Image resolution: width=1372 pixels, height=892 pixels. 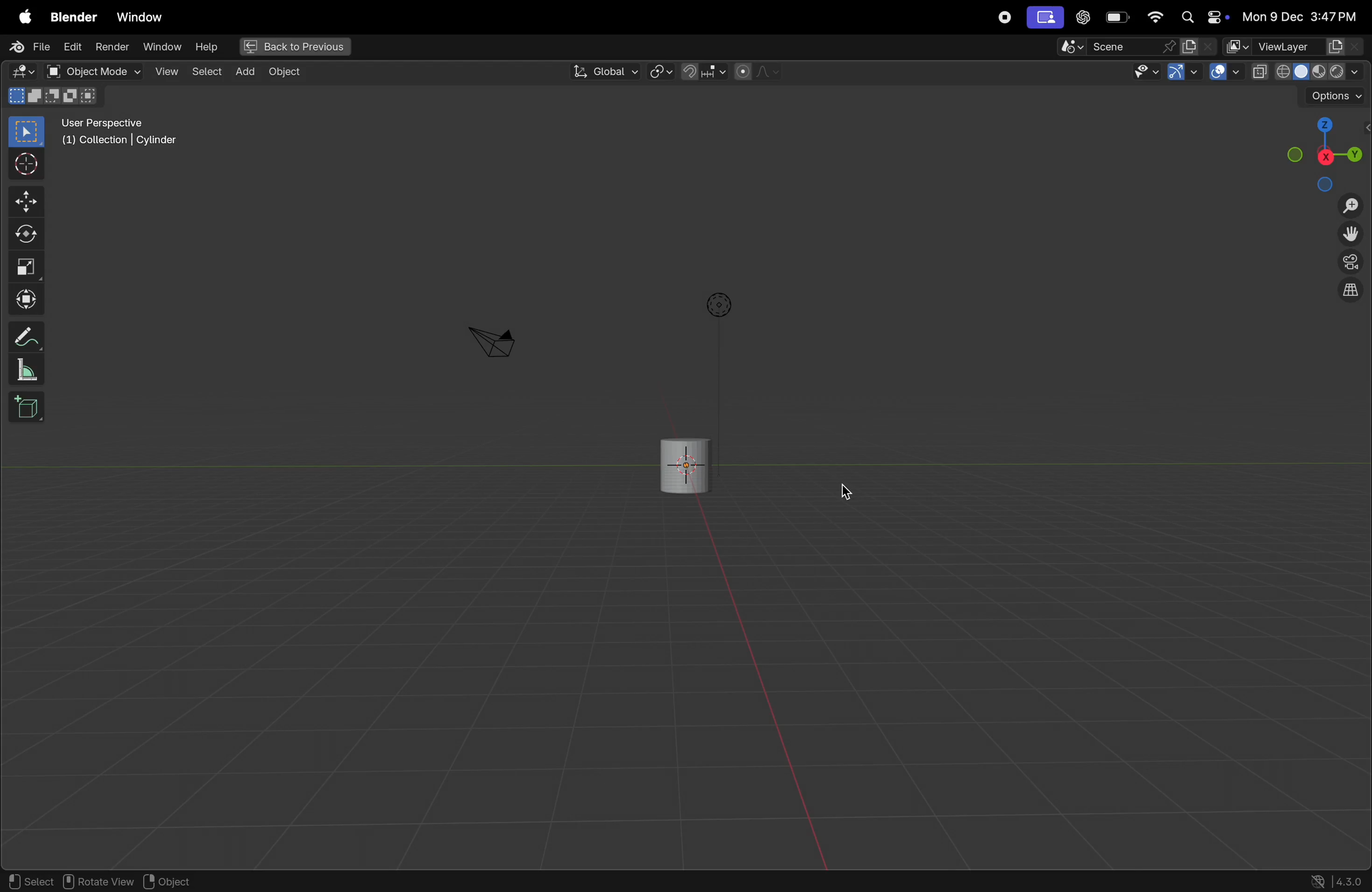 What do you see at coordinates (291, 72) in the screenshot?
I see `Object` at bounding box center [291, 72].